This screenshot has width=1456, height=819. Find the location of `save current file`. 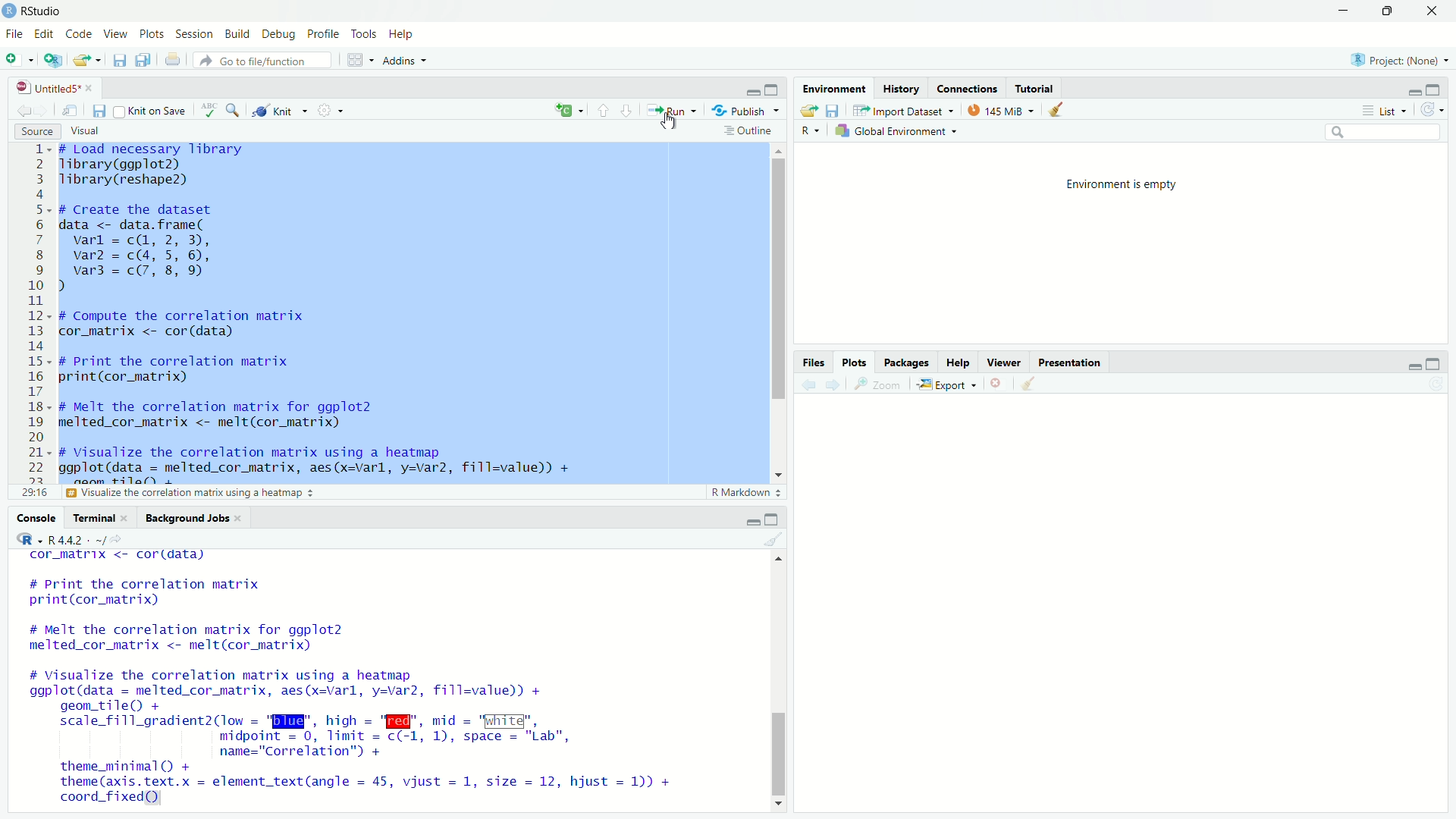

save current file is located at coordinates (119, 60).